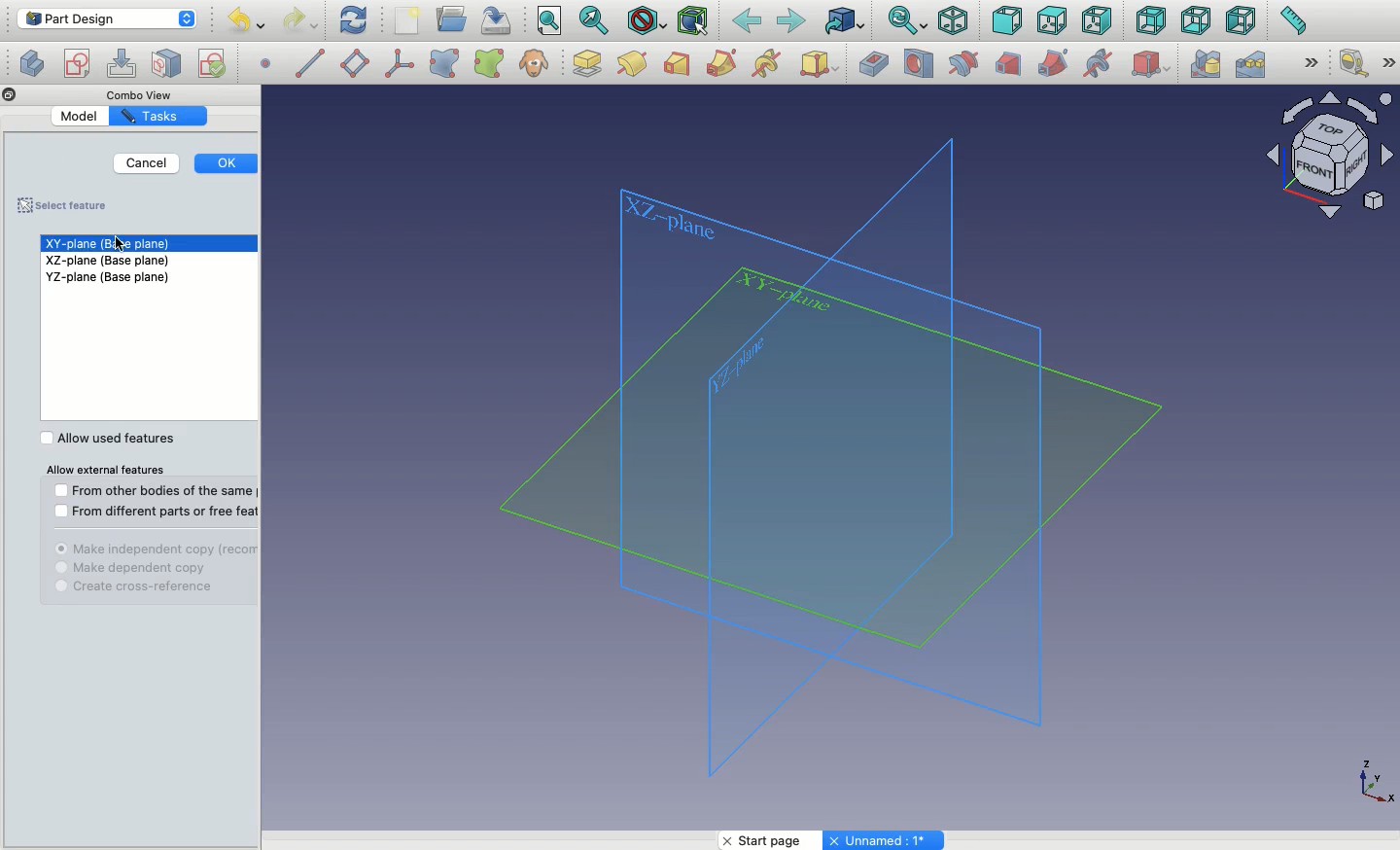 The height and width of the screenshot is (850, 1400). I want to click on All external features, so click(103, 468).